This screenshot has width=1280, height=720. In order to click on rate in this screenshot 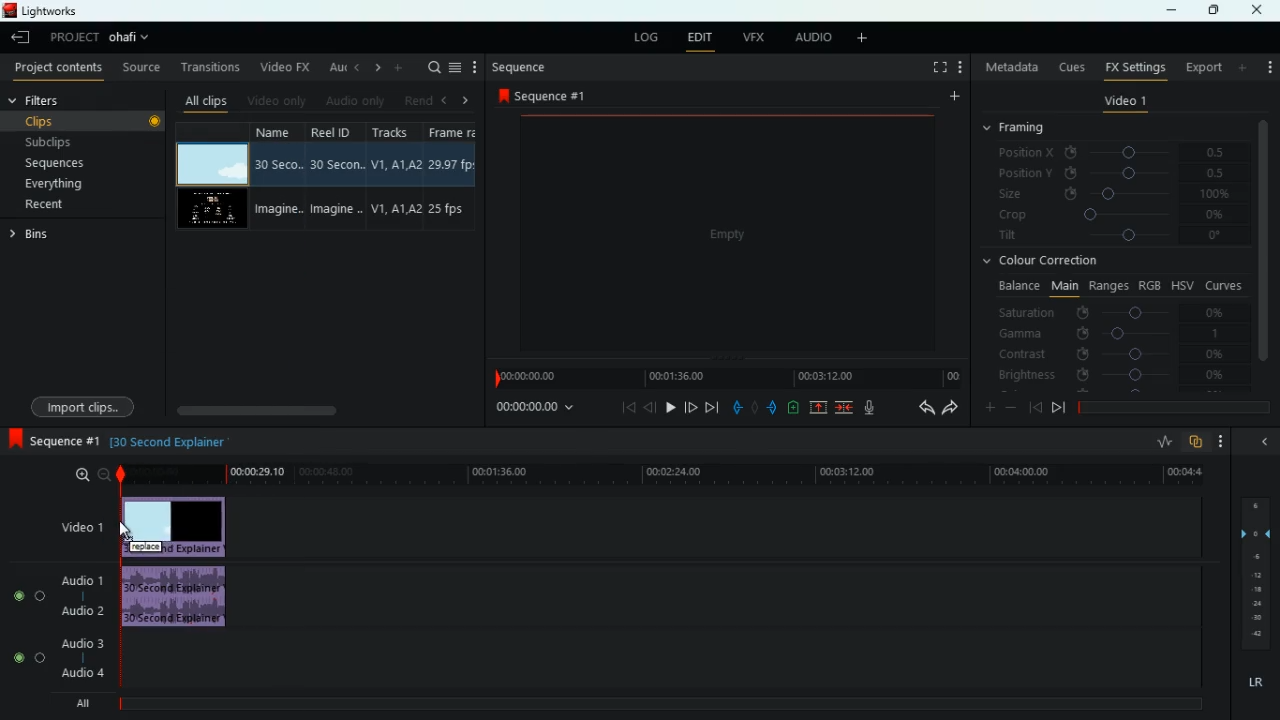, I will do `click(1159, 442)`.